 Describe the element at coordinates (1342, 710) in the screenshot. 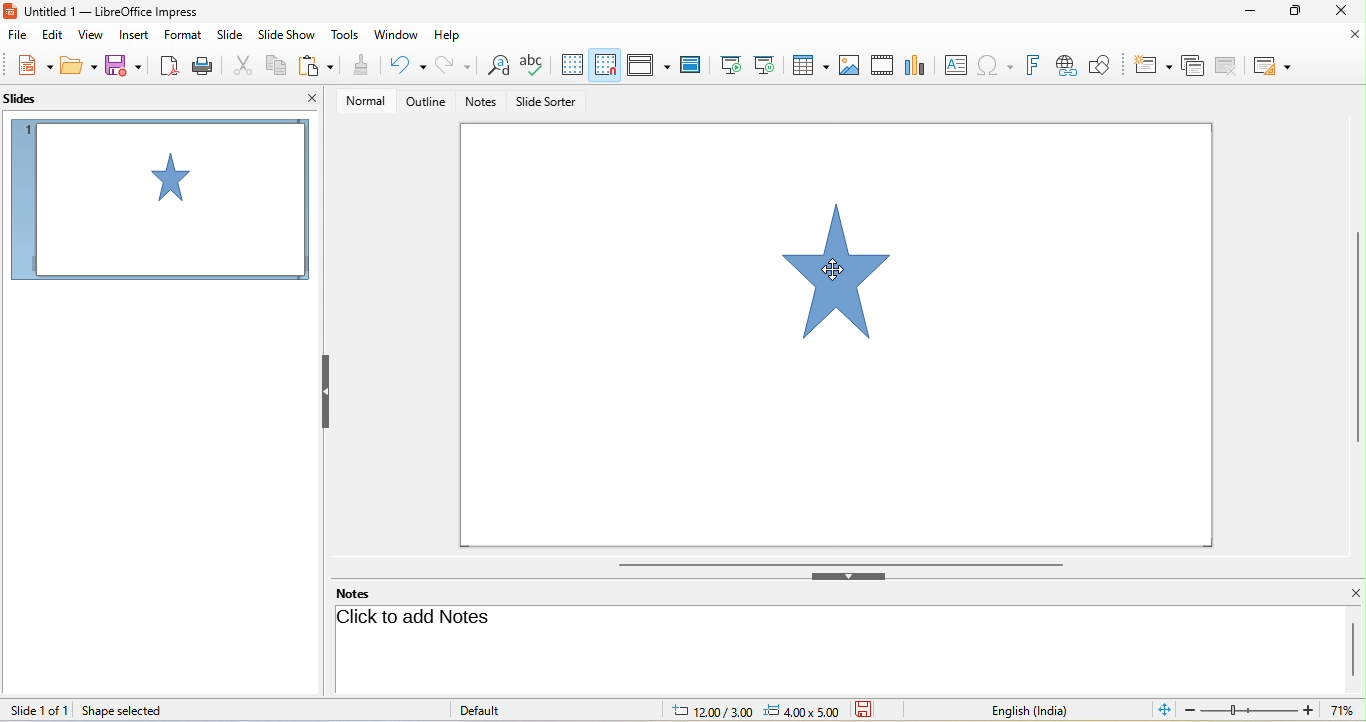

I see `current zoom` at that location.